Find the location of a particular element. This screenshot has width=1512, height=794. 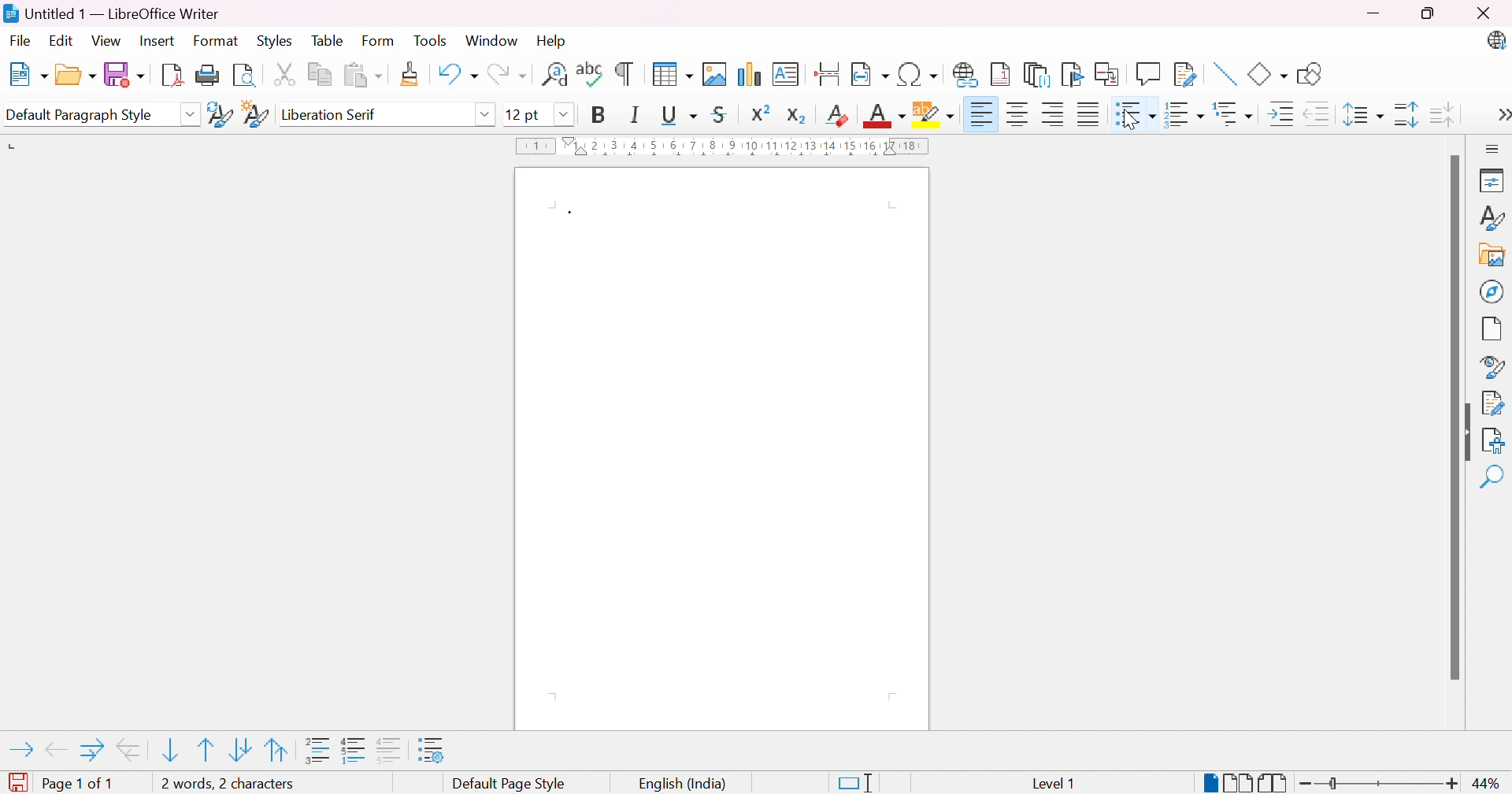

Insert cross-reference is located at coordinates (1109, 75).